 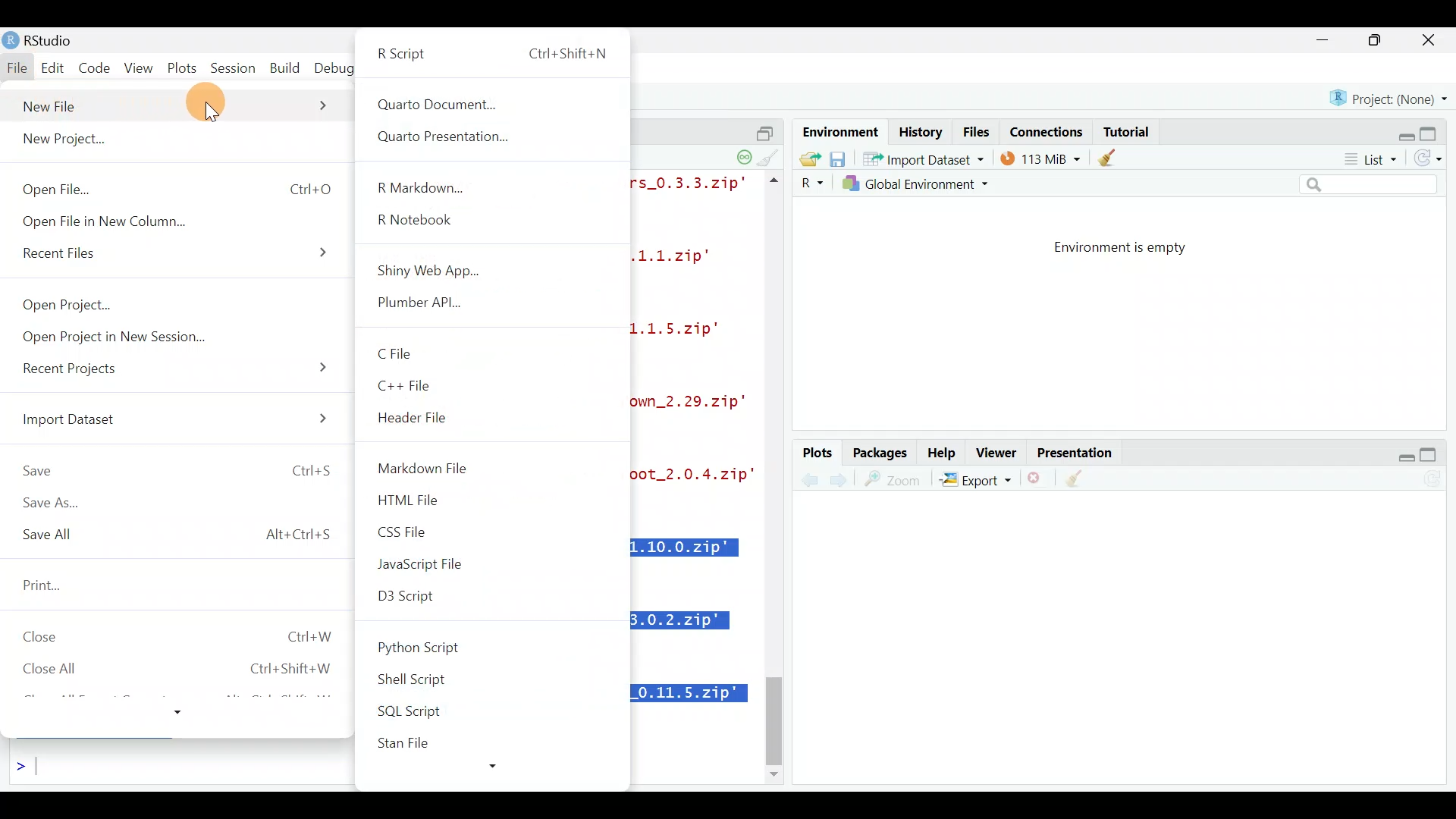 What do you see at coordinates (1037, 482) in the screenshot?
I see `remove the current plot` at bounding box center [1037, 482].